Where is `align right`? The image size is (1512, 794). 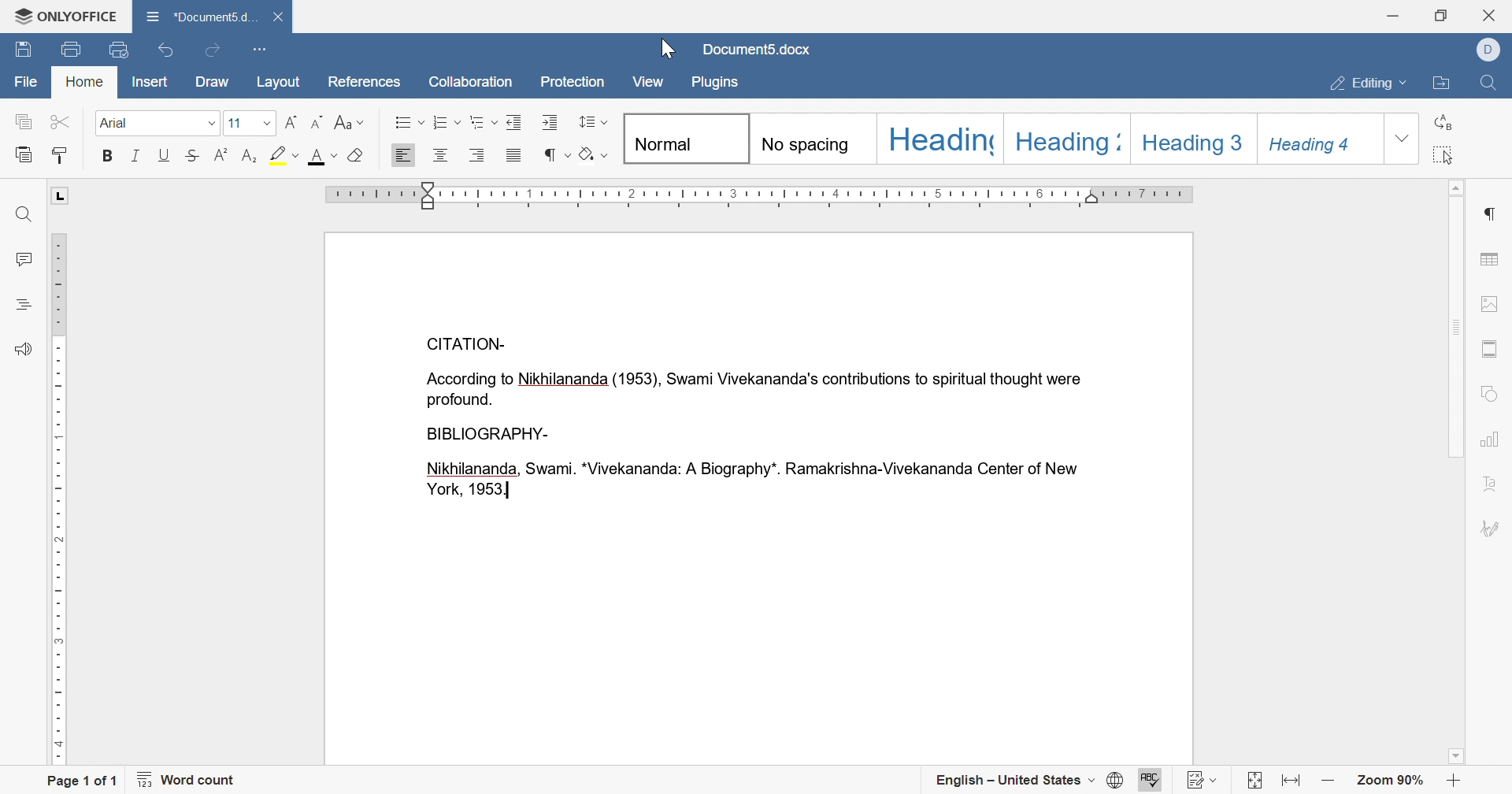 align right is located at coordinates (479, 155).